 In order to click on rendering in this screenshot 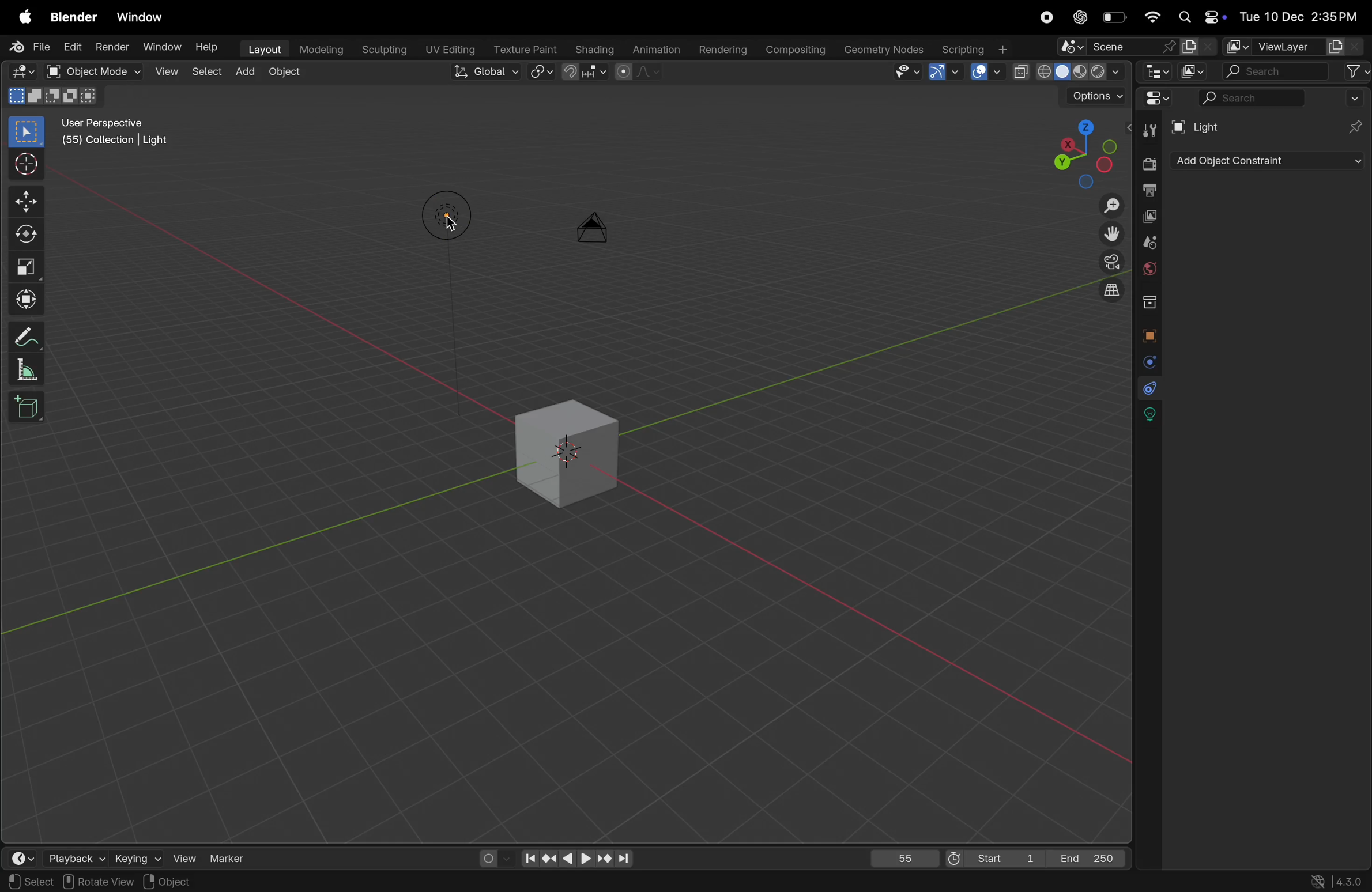, I will do `click(722, 46)`.